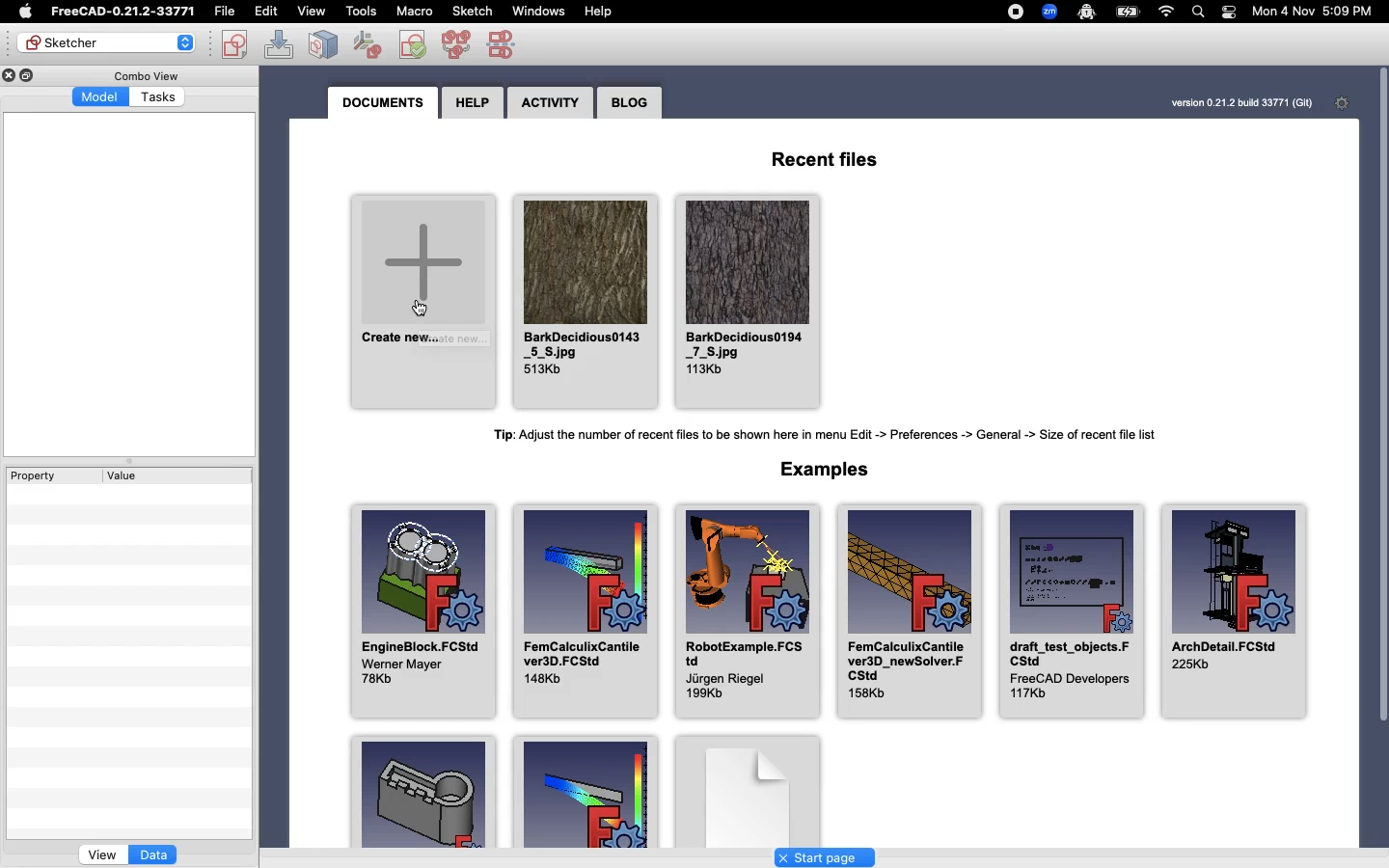 Image resolution: width=1389 pixels, height=868 pixels. What do you see at coordinates (381, 103) in the screenshot?
I see `Documents` at bounding box center [381, 103].